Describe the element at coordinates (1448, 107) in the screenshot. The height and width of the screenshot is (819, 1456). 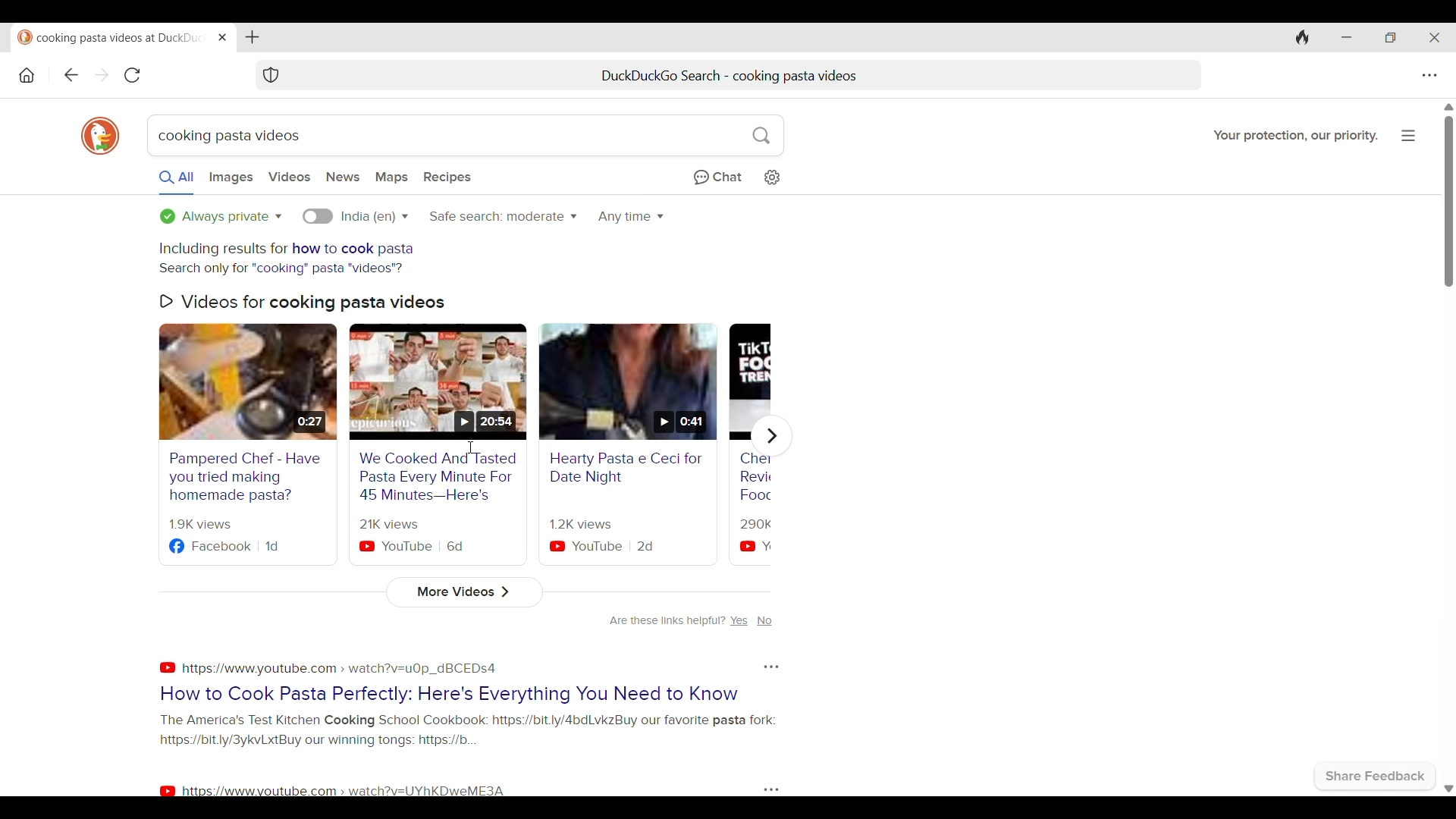
I see `Quick slide to top` at that location.